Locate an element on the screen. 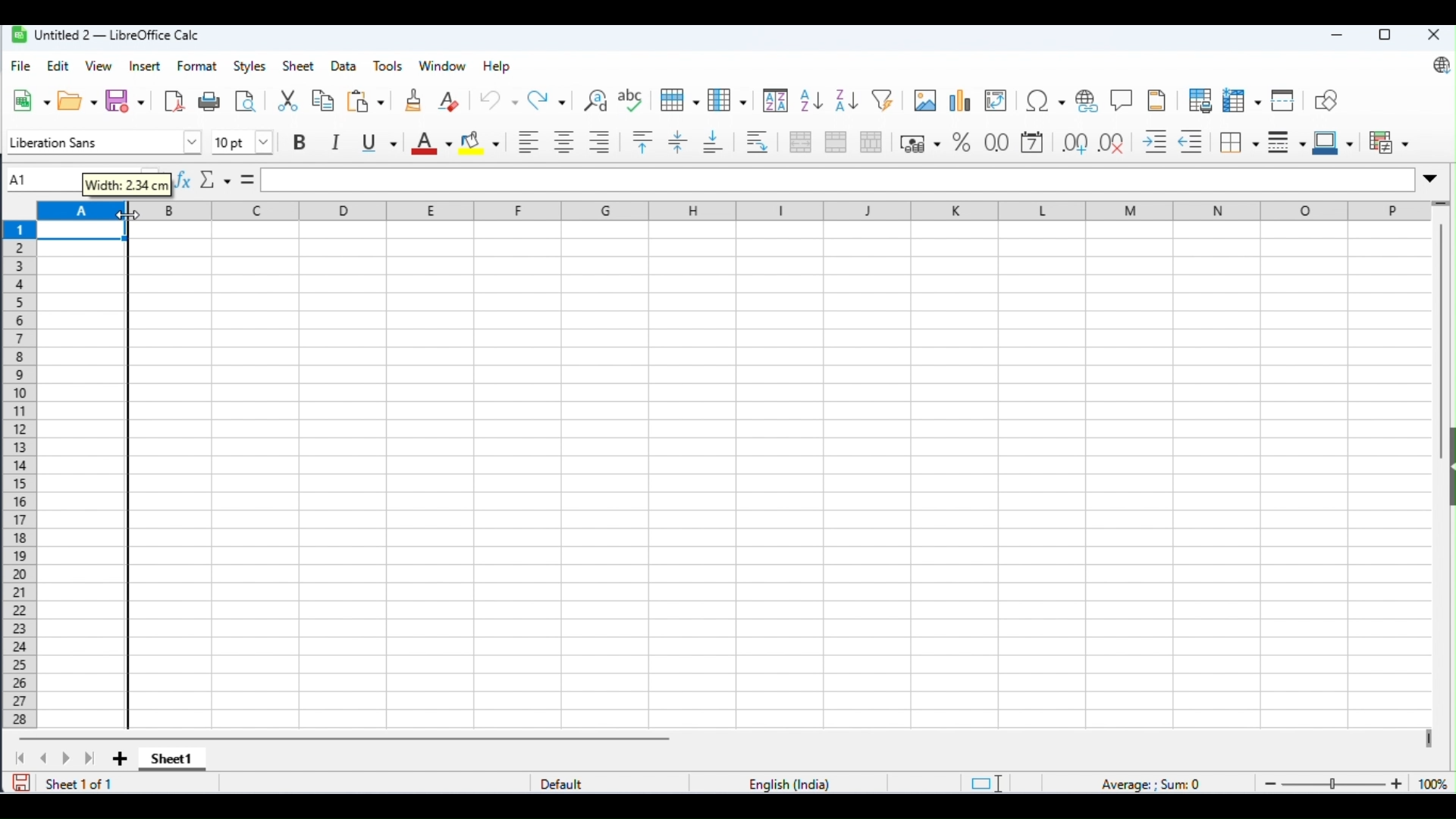  file is located at coordinates (21, 66).